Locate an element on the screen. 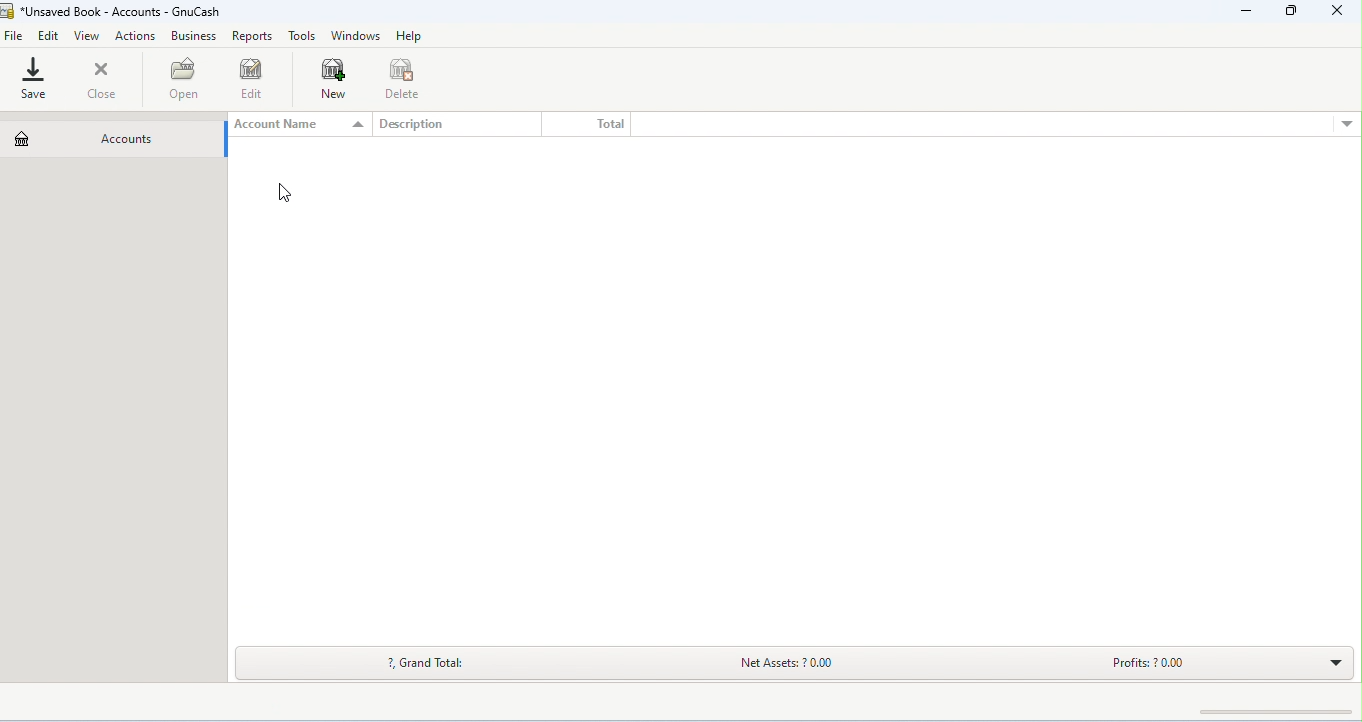 The width and height of the screenshot is (1362, 722). accounts is located at coordinates (94, 138).